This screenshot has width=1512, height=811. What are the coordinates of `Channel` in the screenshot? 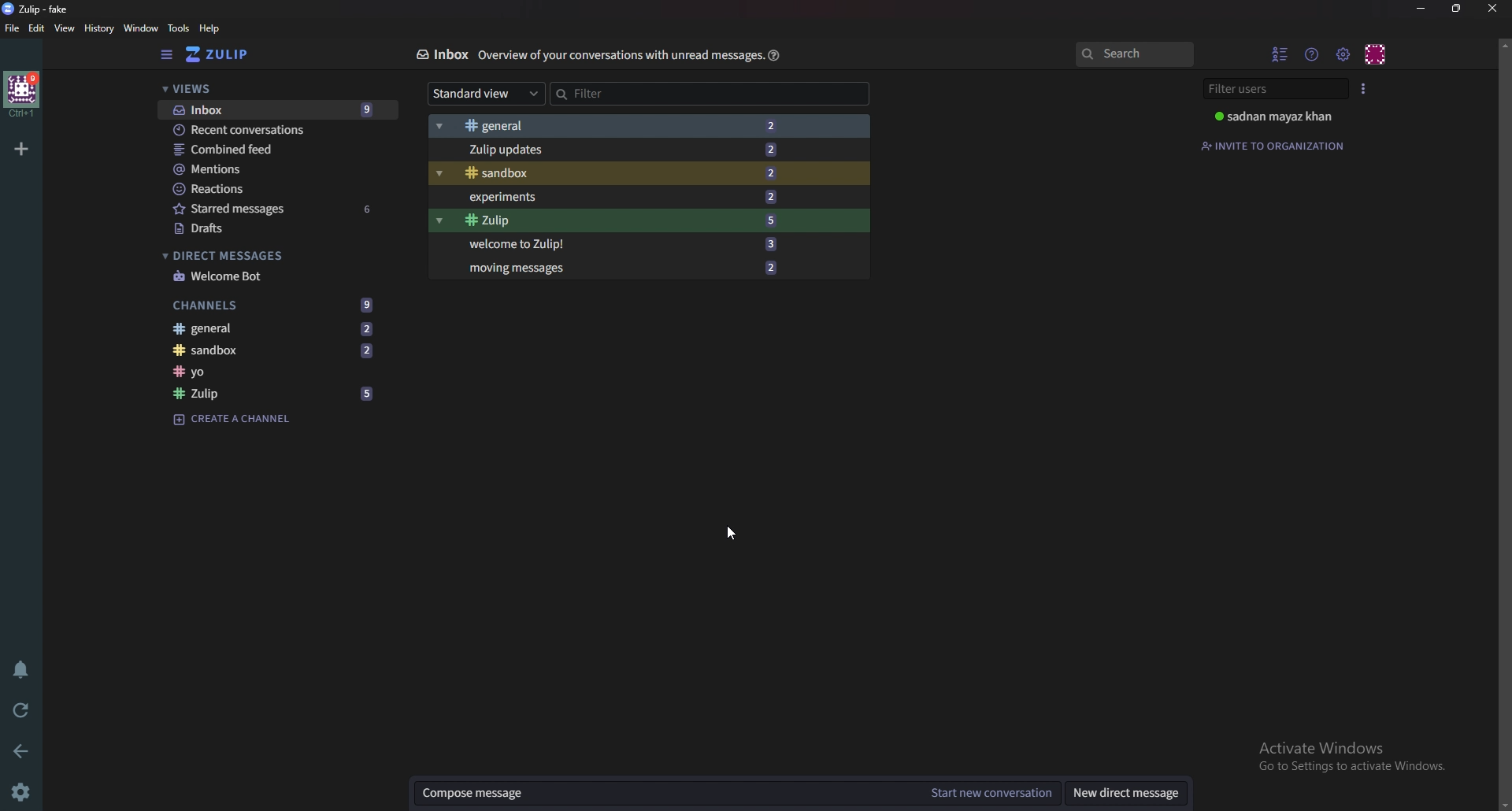 It's located at (275, 372).